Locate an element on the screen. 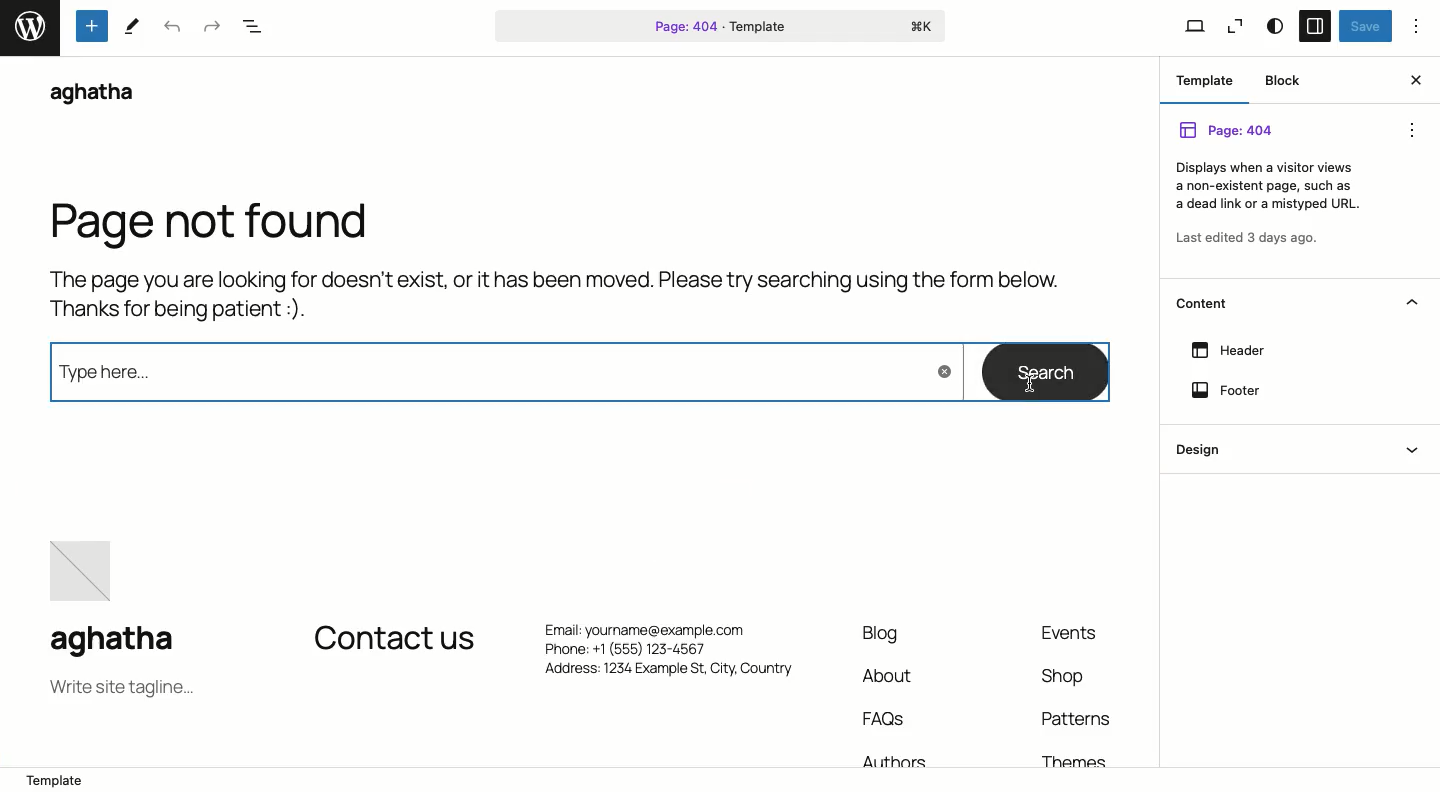  Events is located at coordinates (1071, 634).